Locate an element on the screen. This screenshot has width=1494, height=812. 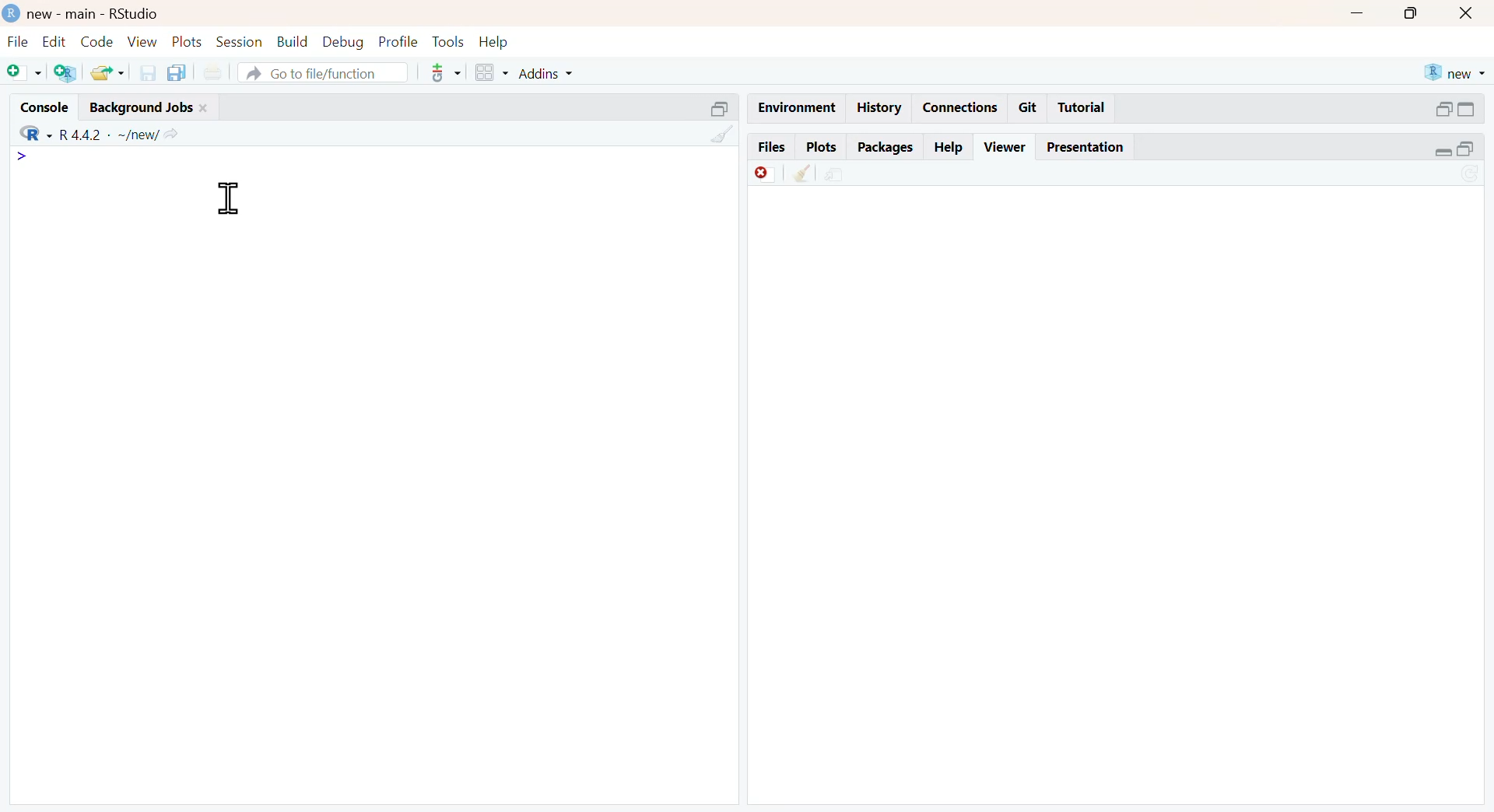
open in separate window is located at coordinates (1444, 110).